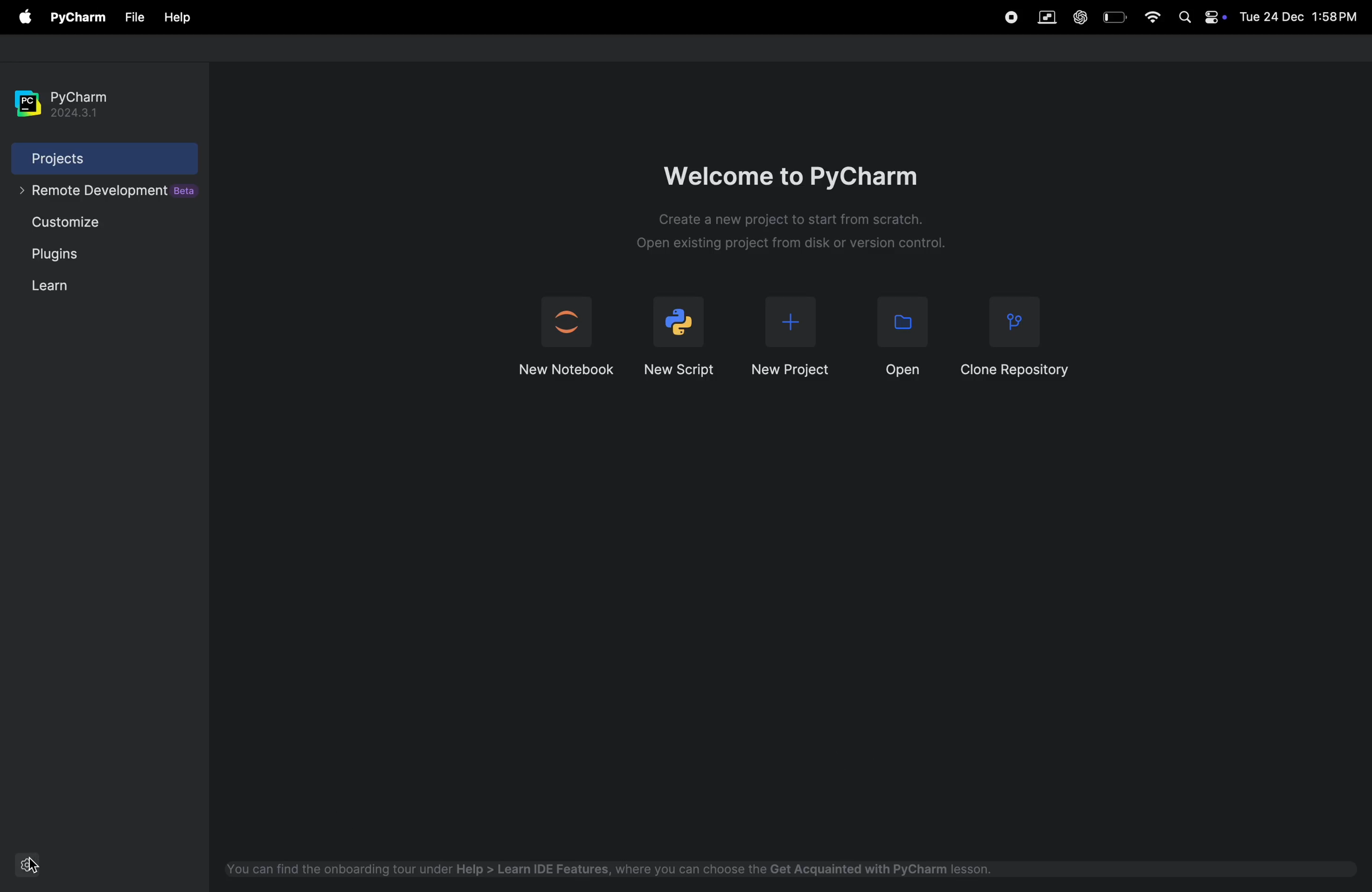 This screenshot has width=1372, height=892. I want to click on Welcome to pycharm, so click(797, 169).